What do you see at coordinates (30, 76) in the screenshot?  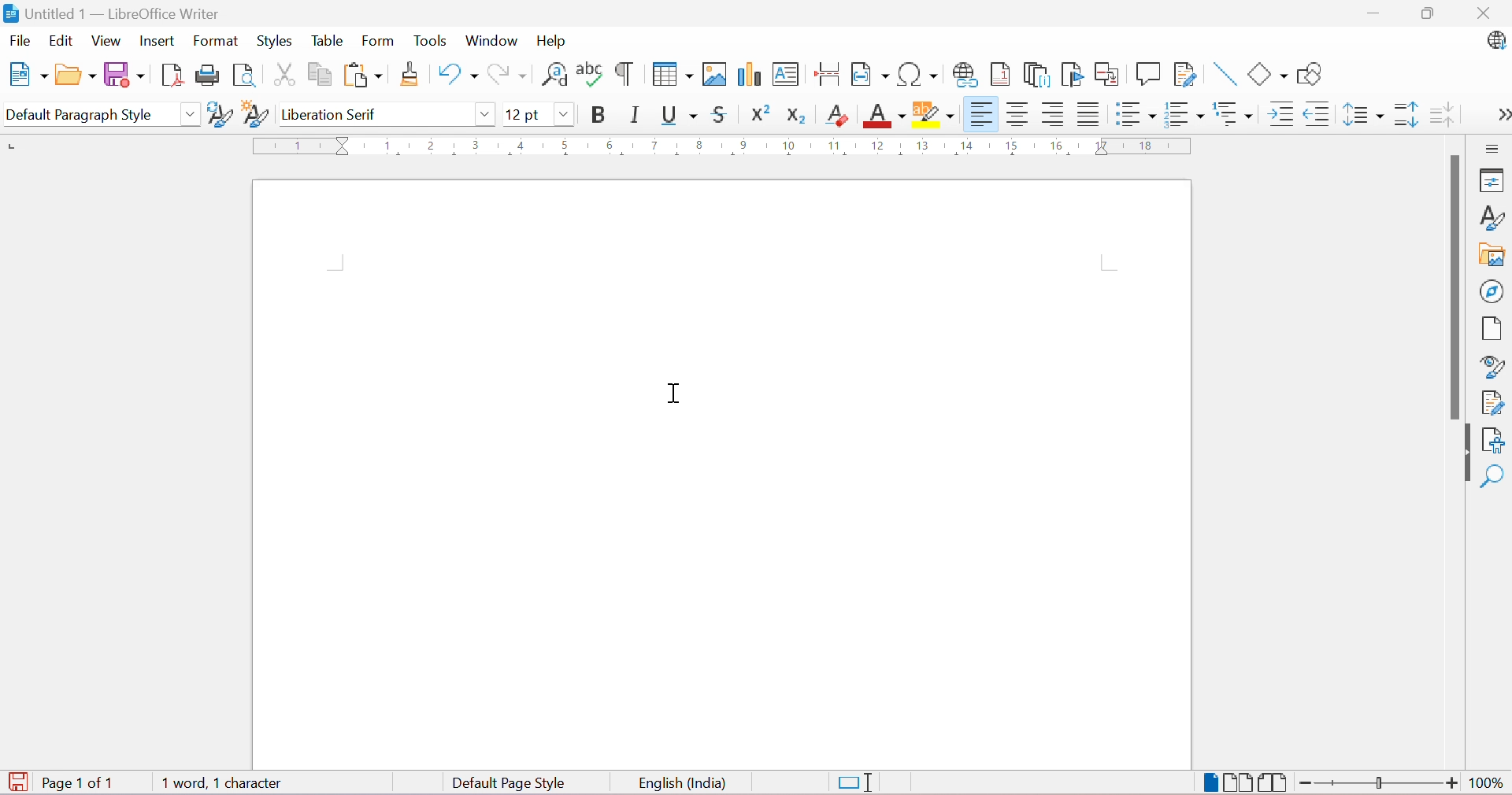 I see `New` at bounding box center [30, 76].